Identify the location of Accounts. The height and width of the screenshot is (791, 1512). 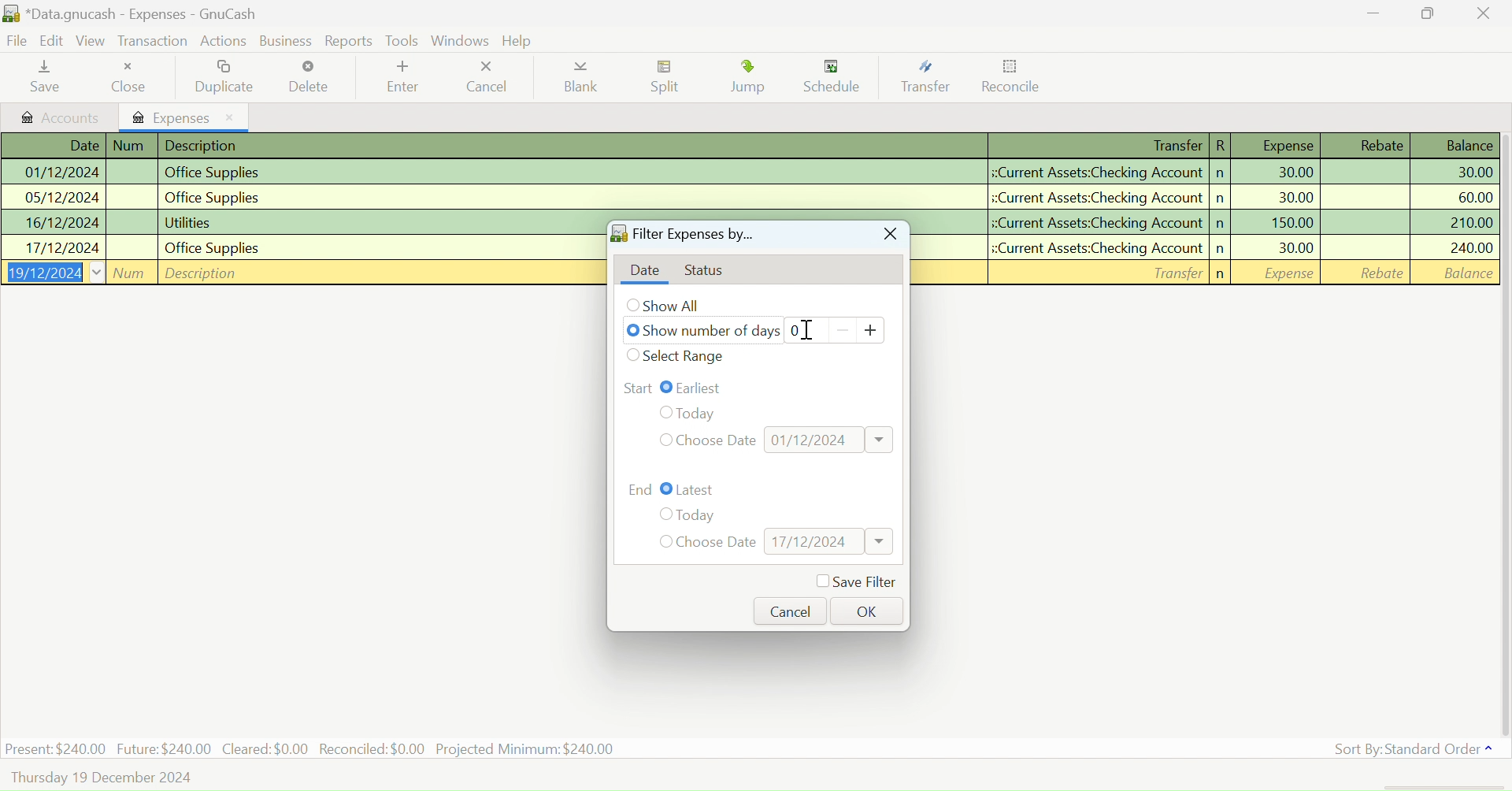
(61, 117).